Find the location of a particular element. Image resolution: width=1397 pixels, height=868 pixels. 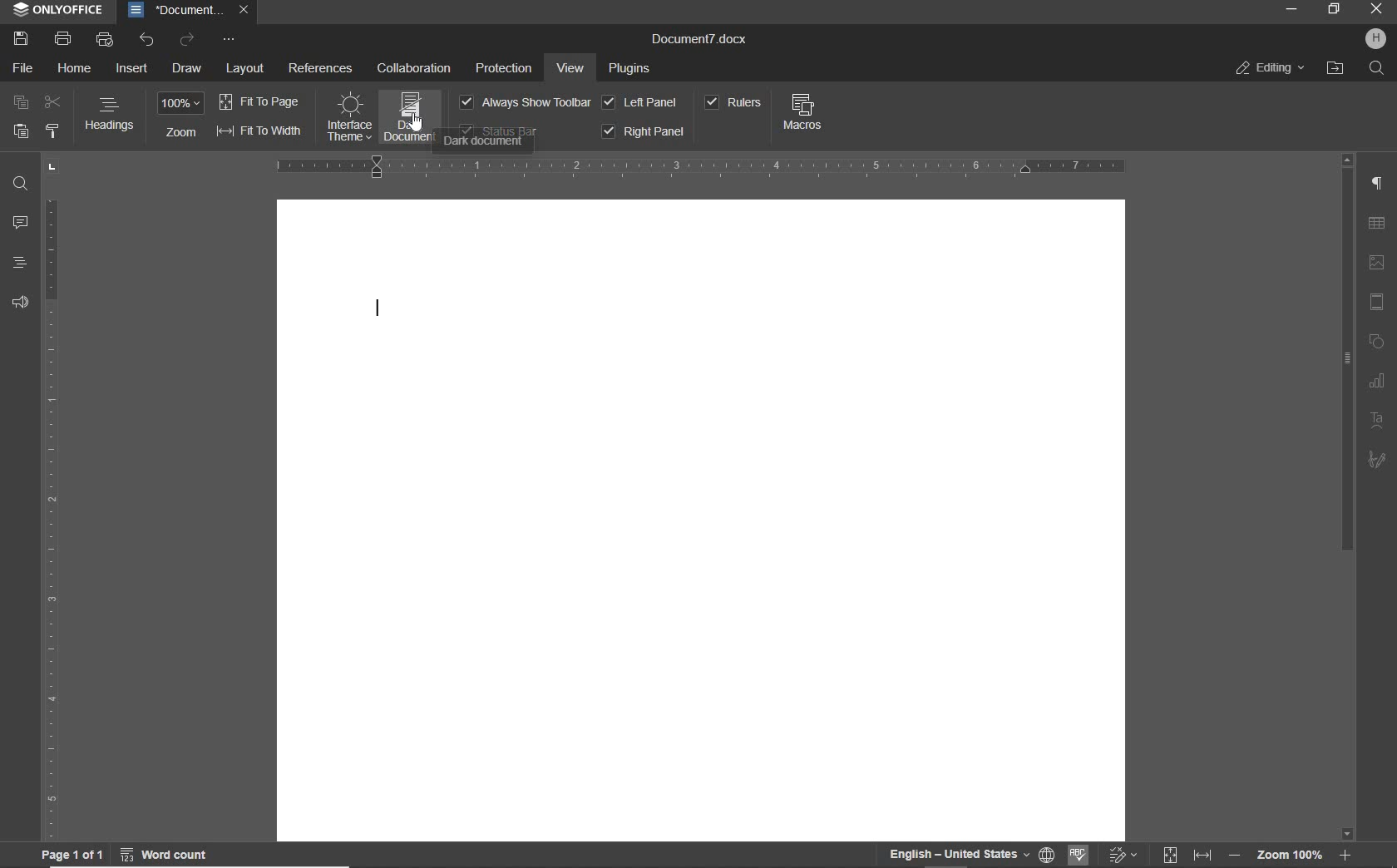

HOME is located at coordinates (77, 67).